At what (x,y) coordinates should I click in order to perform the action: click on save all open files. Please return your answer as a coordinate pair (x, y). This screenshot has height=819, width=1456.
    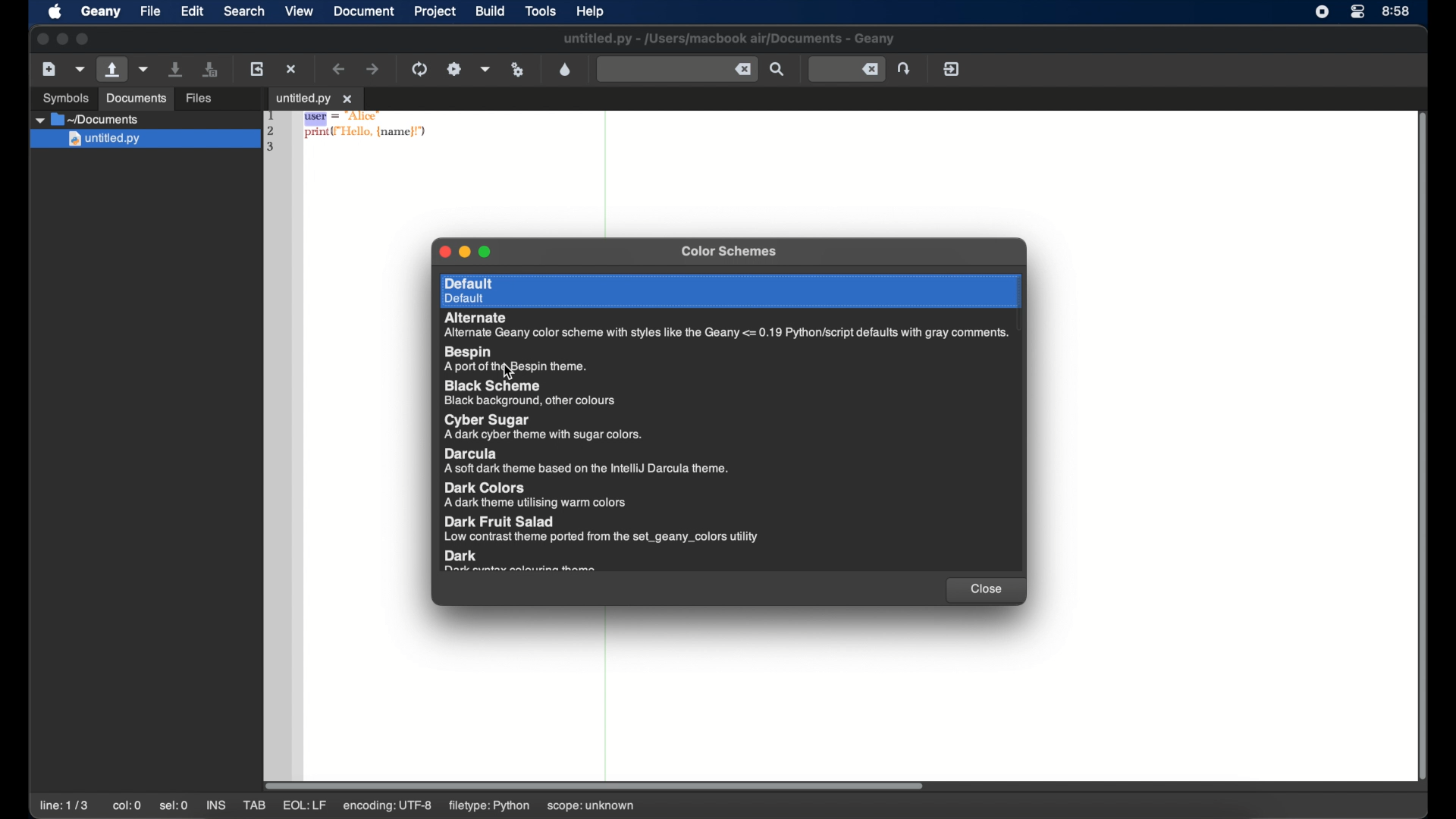
    Looking at the image, I should click on (212, 70).